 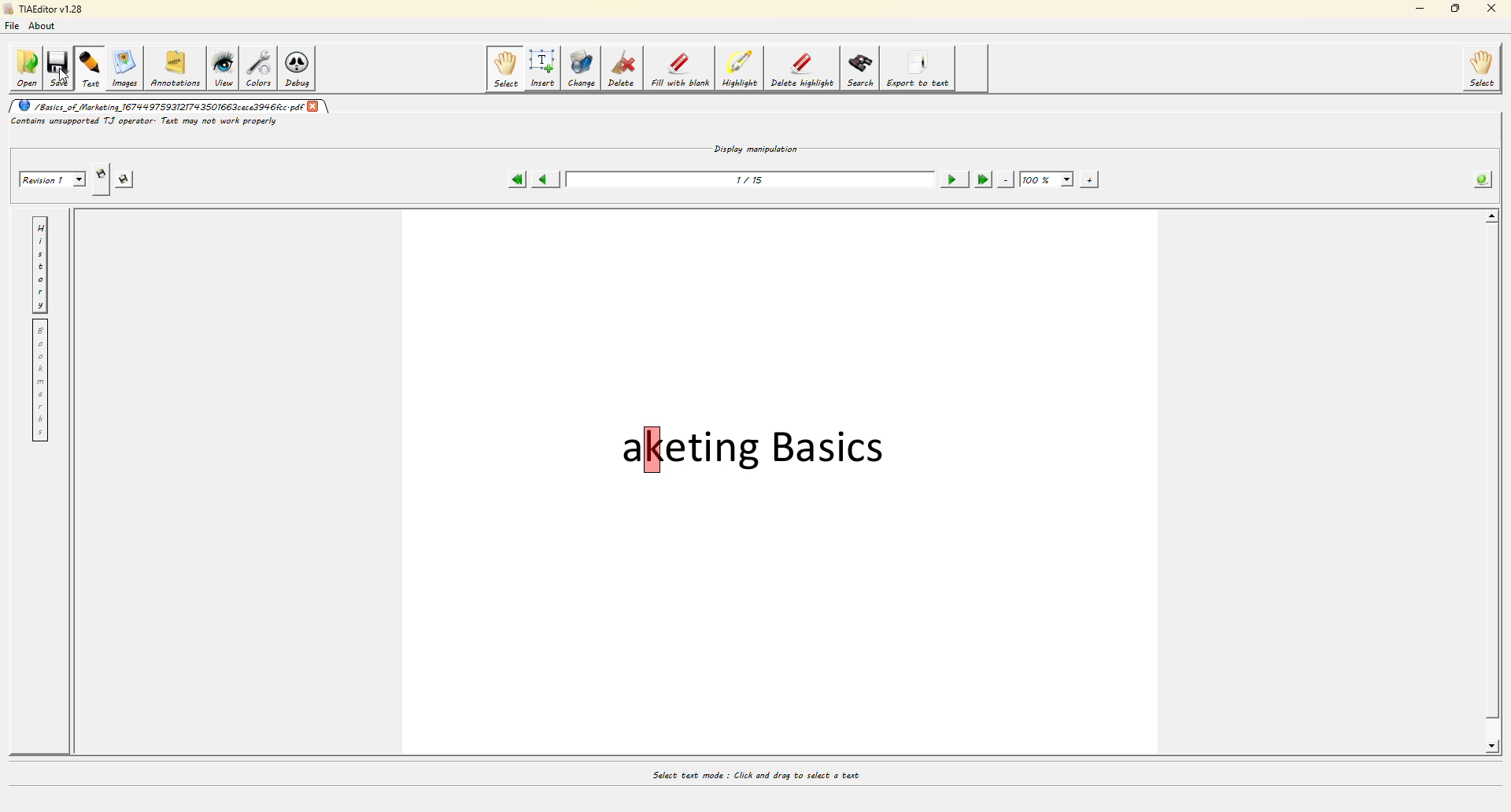 What do you see at coordinates (1484, 176) in the screenshot?
I see `info about the pdf` at bounding box center [1484, 176].